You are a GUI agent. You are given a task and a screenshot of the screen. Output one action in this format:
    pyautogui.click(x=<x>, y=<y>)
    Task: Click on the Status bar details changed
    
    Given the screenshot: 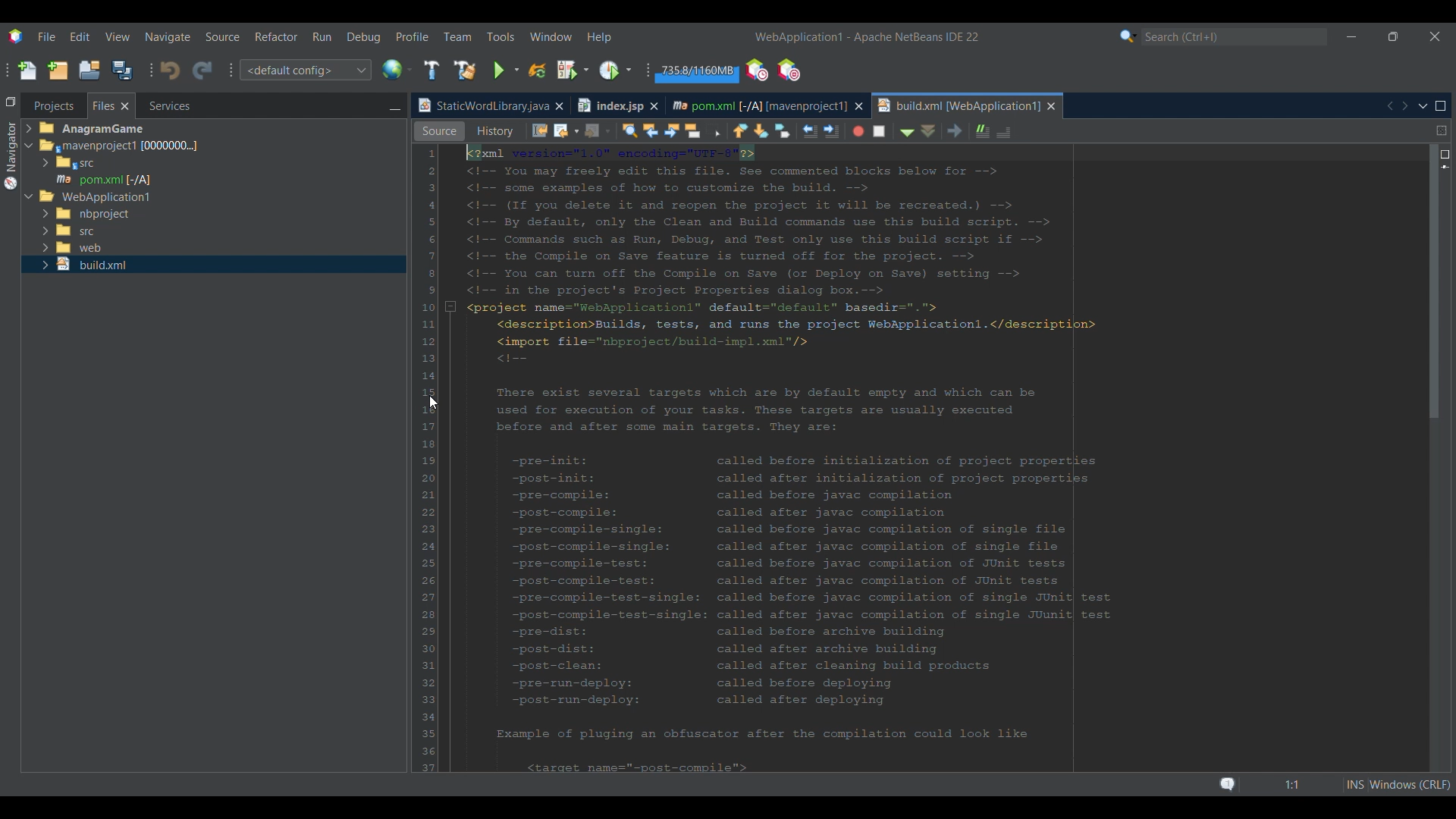 What is the action you would take?
    pyautogui.click(x=1316, y=785)
    